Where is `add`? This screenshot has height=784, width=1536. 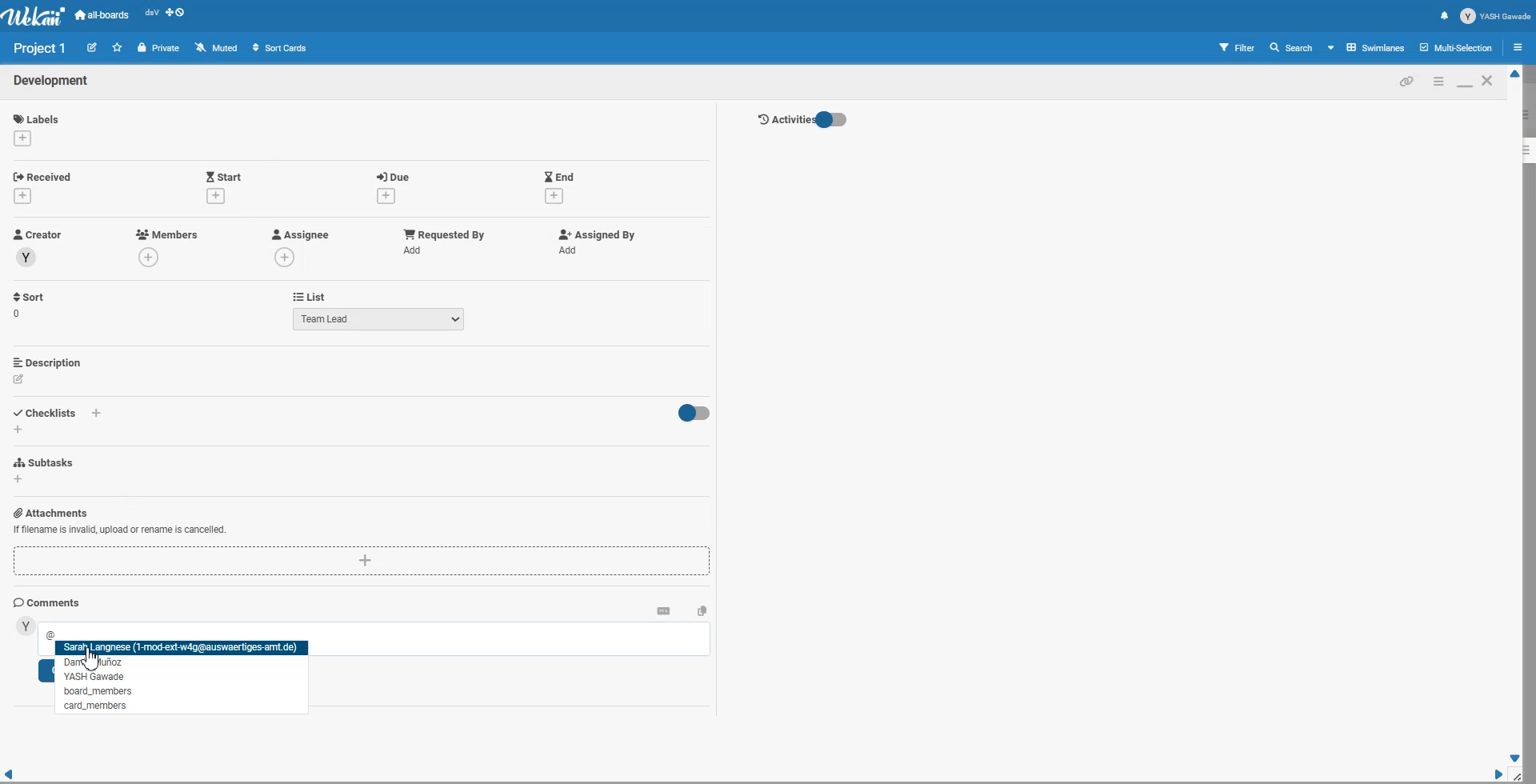 add is located at coordinates (286, 257).